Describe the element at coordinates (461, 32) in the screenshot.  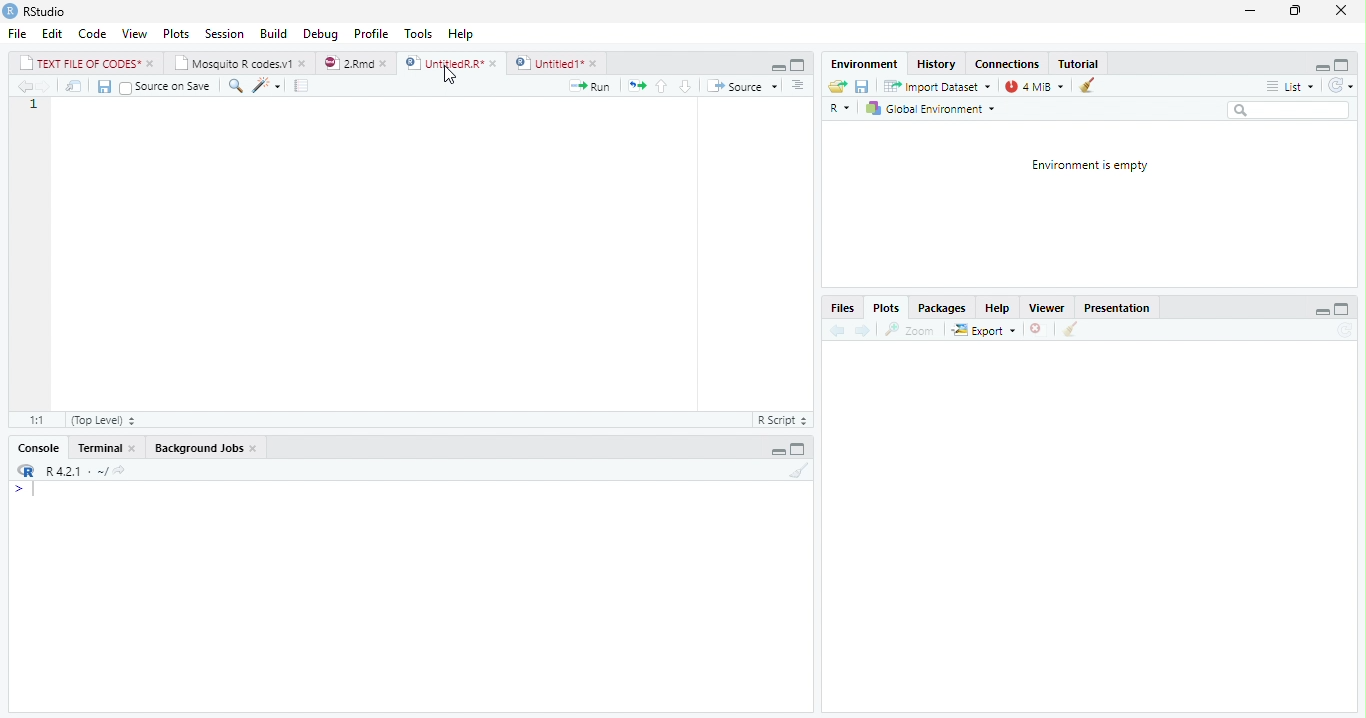
I see `Help` at that location.